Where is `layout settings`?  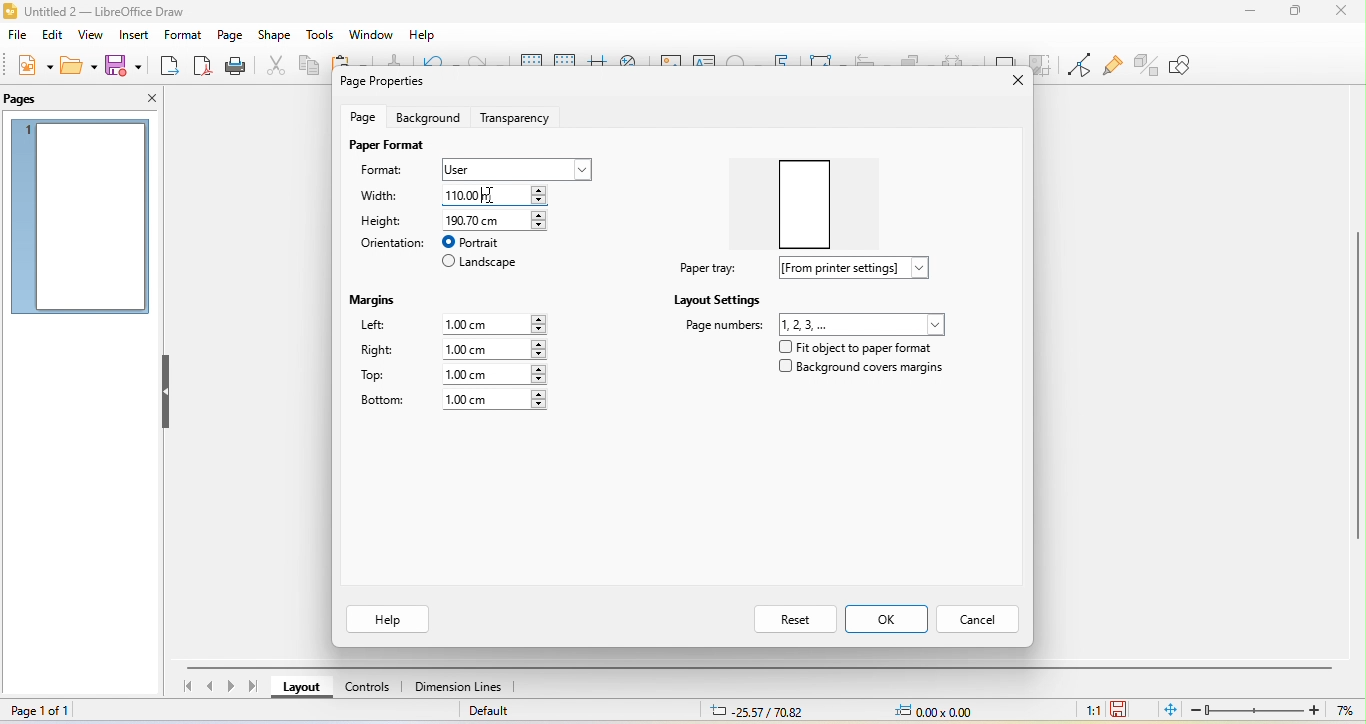
layout settings is located at coordinates (718, 299).